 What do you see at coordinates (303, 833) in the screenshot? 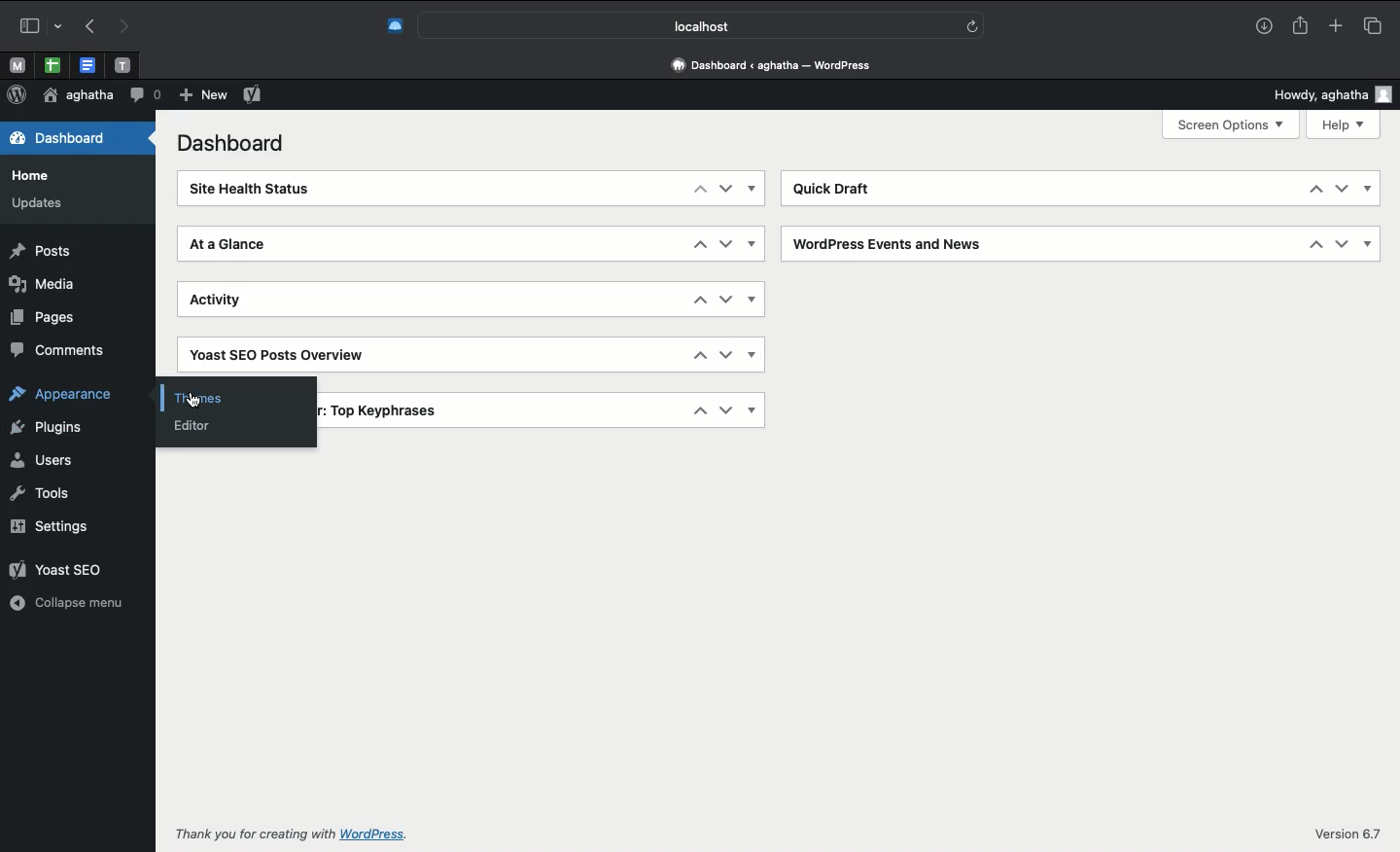
I see `Thank you for creating with wordpress` at bounding box center [303, 833].